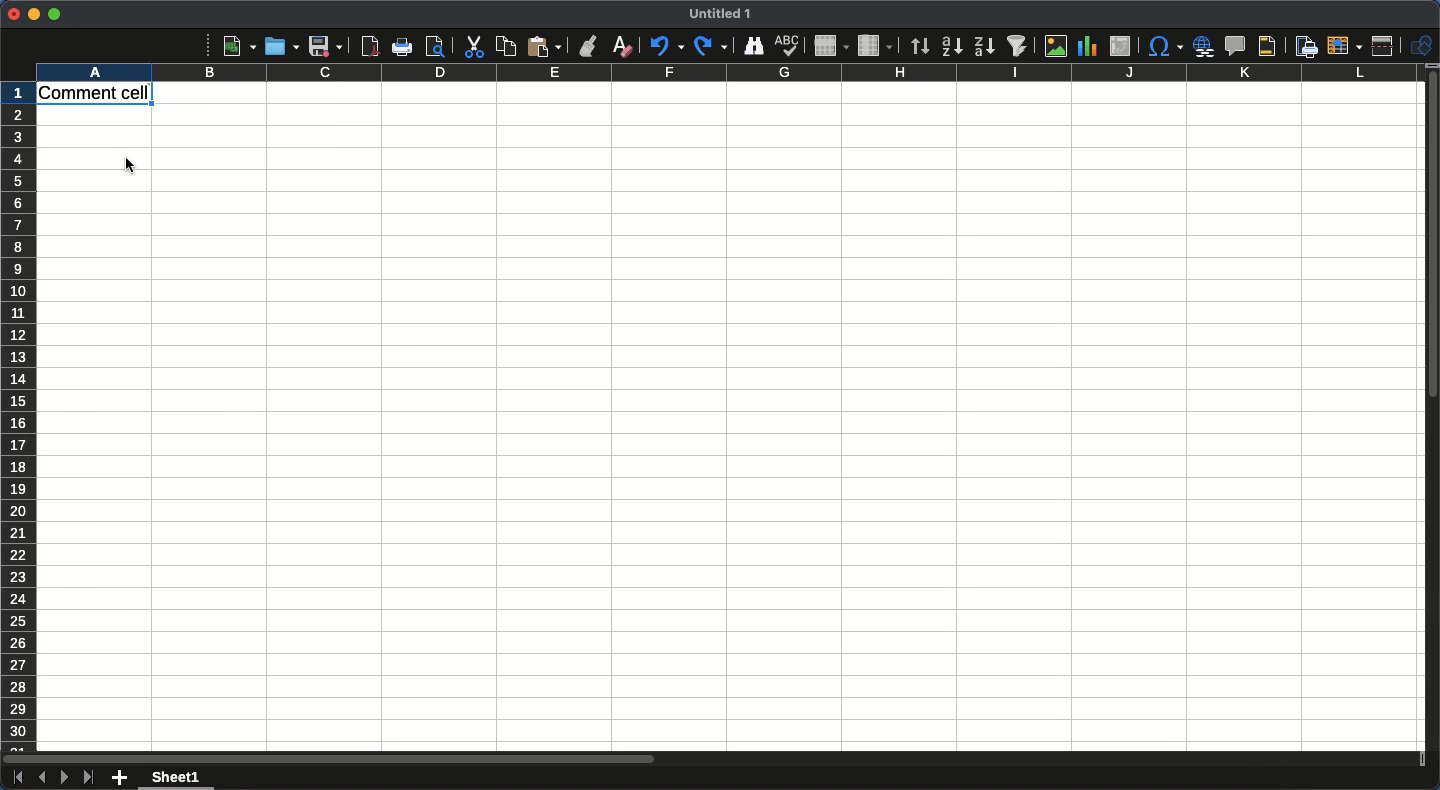  I want to click on Finder, so click(755, 45).